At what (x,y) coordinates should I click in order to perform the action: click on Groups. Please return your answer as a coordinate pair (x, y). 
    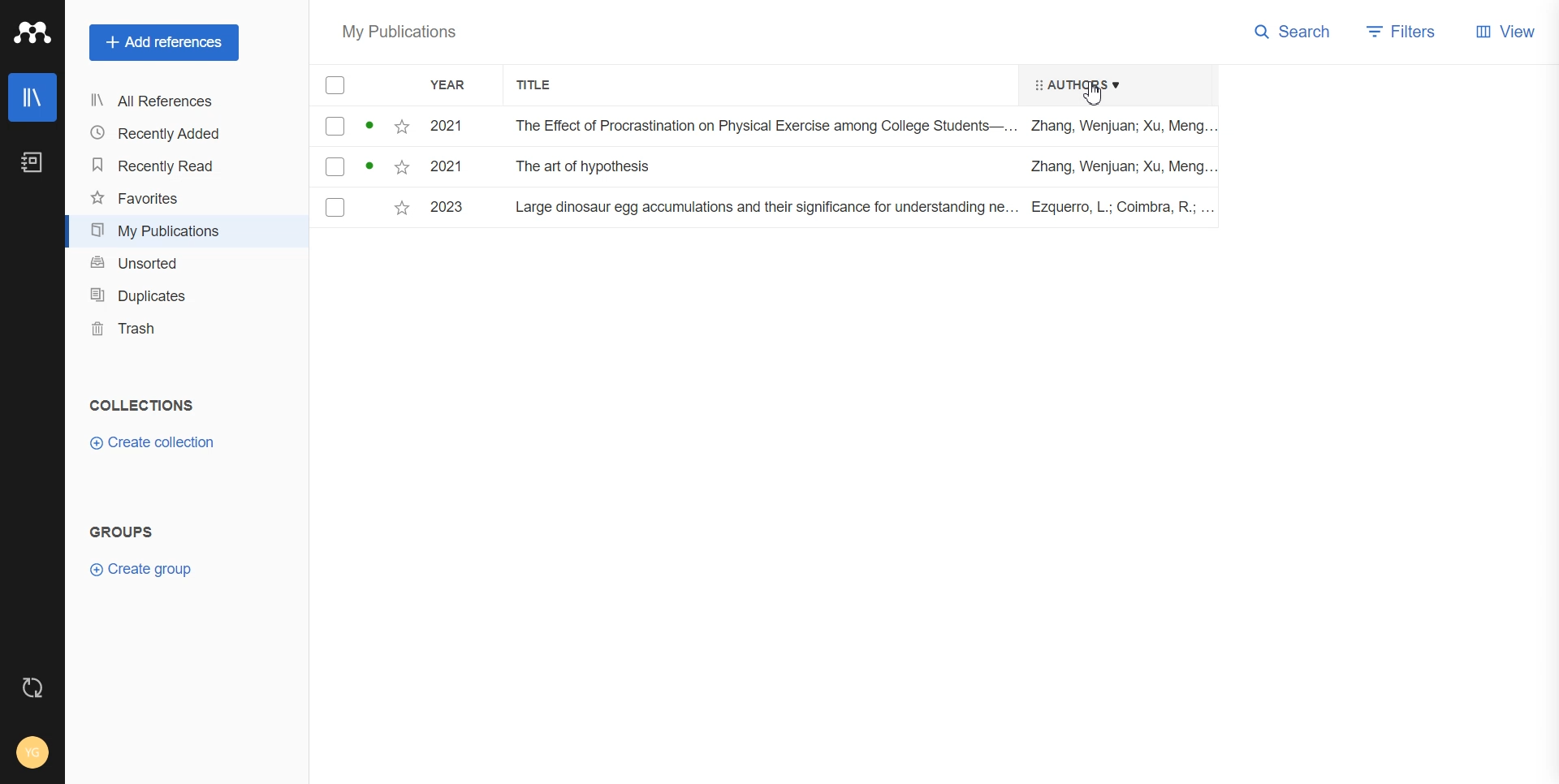
    Looking at the image, I should click on (123, 532).